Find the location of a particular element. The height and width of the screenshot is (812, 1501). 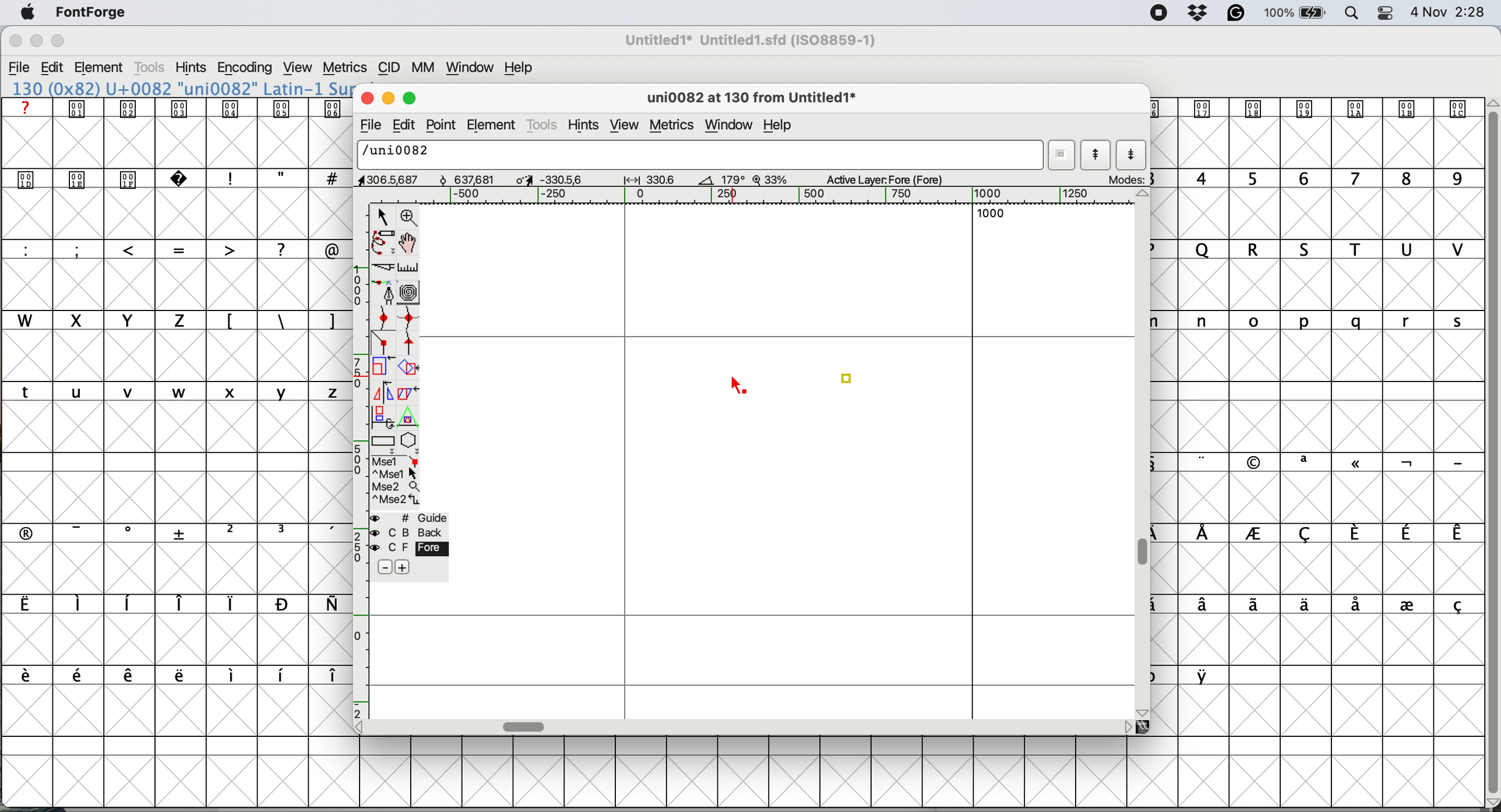

system logo is located at coordinates (28, 13).